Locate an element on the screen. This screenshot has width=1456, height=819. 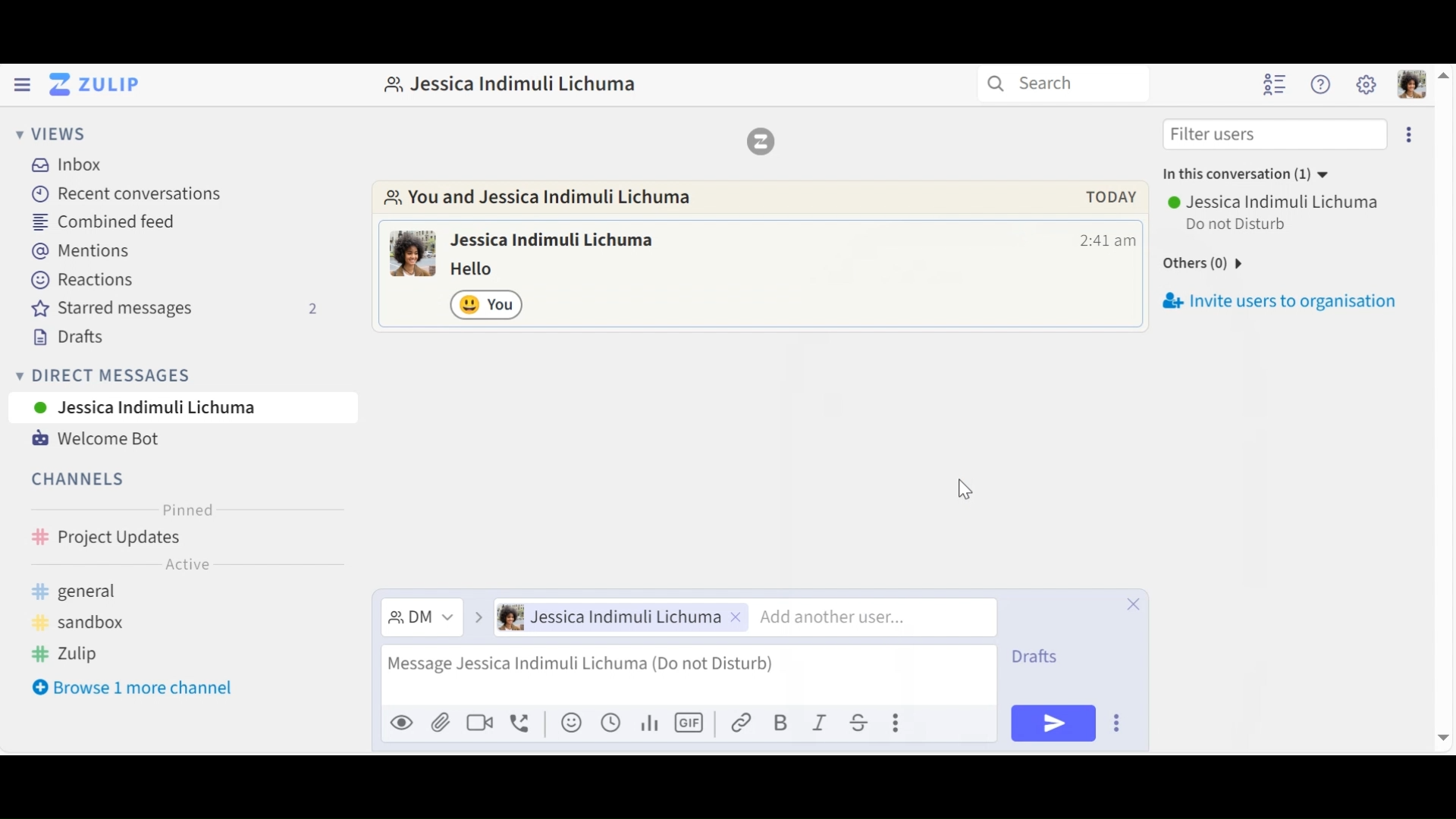
Filter users is located at coordinates (1276, 133).